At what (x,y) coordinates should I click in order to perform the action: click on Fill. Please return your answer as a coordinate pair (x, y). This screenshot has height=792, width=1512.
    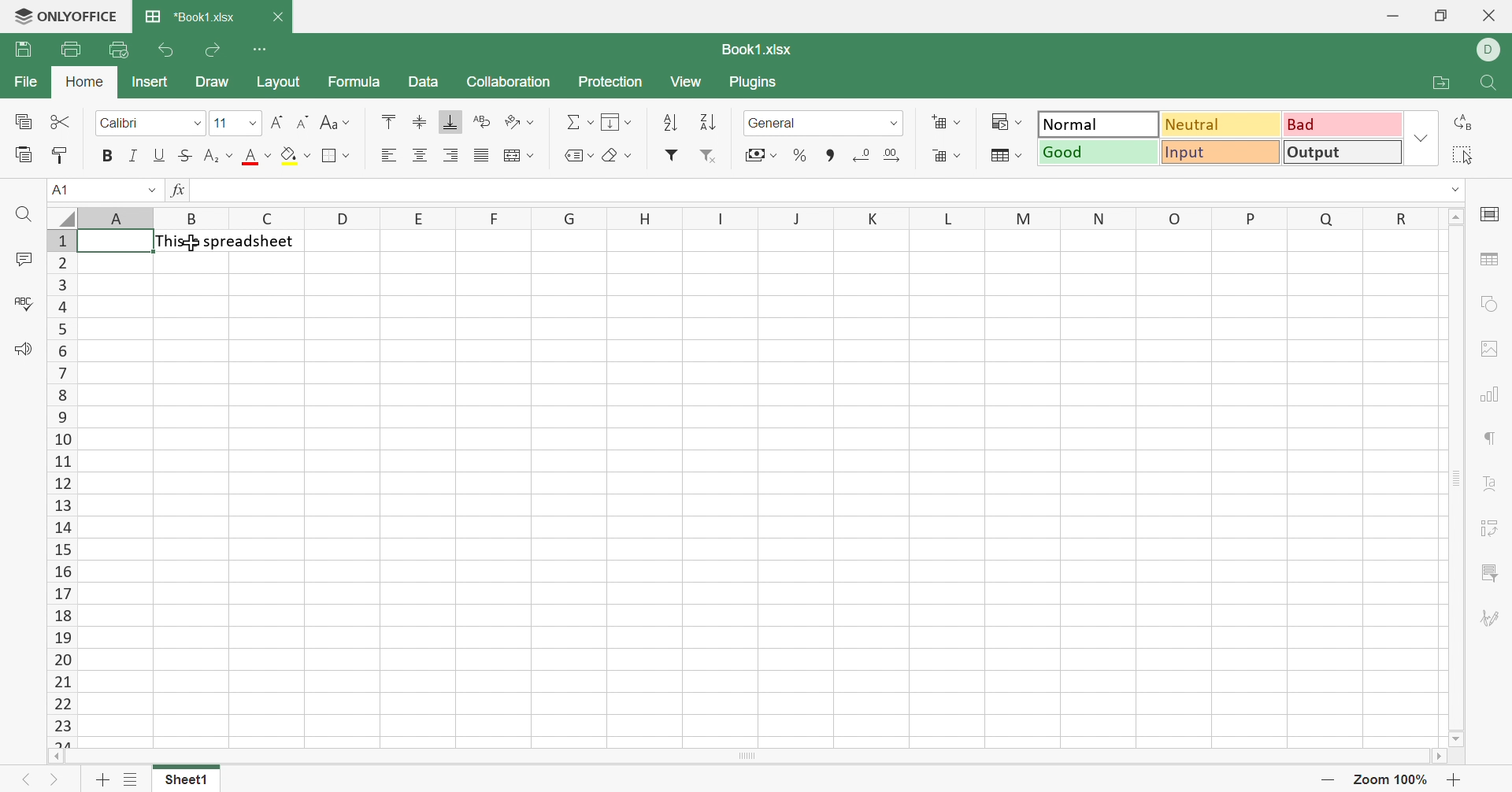
    Looking at the image, I should click on (613, 124).